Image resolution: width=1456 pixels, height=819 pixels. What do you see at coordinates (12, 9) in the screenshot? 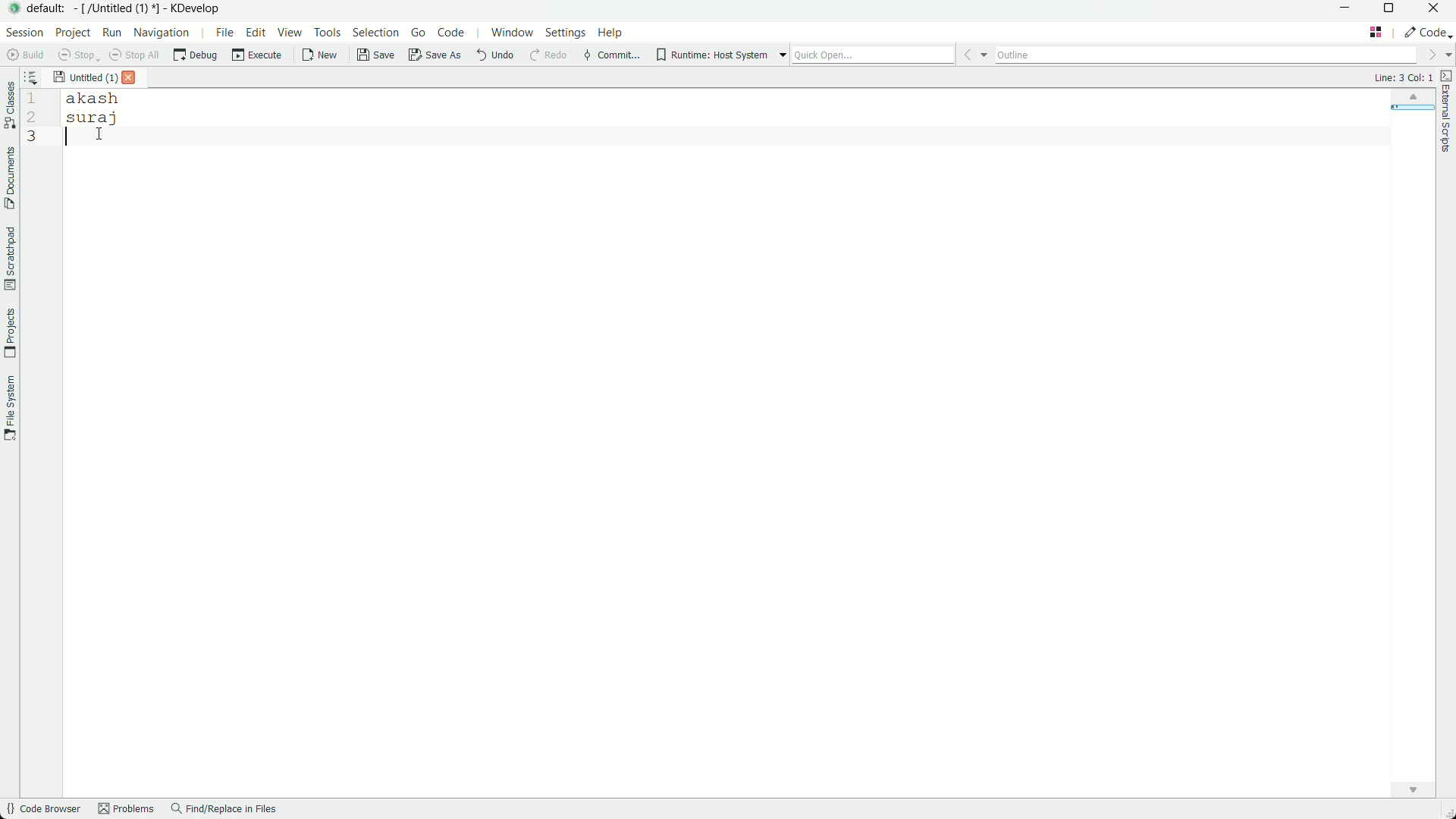
I see `app icon` at bounding box center [12, 9].